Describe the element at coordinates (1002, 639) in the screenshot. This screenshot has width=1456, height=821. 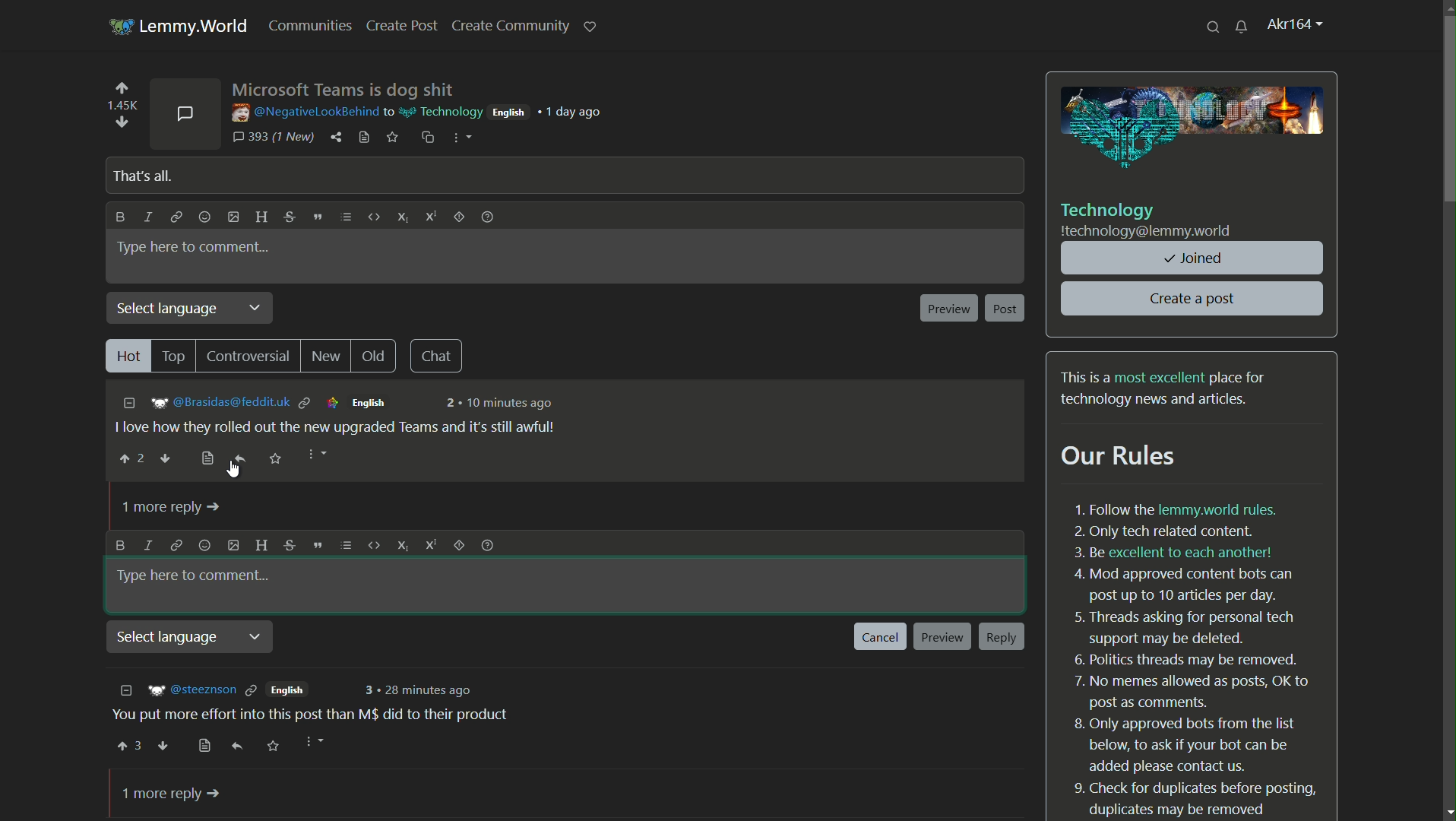
I see `reply` at that location.